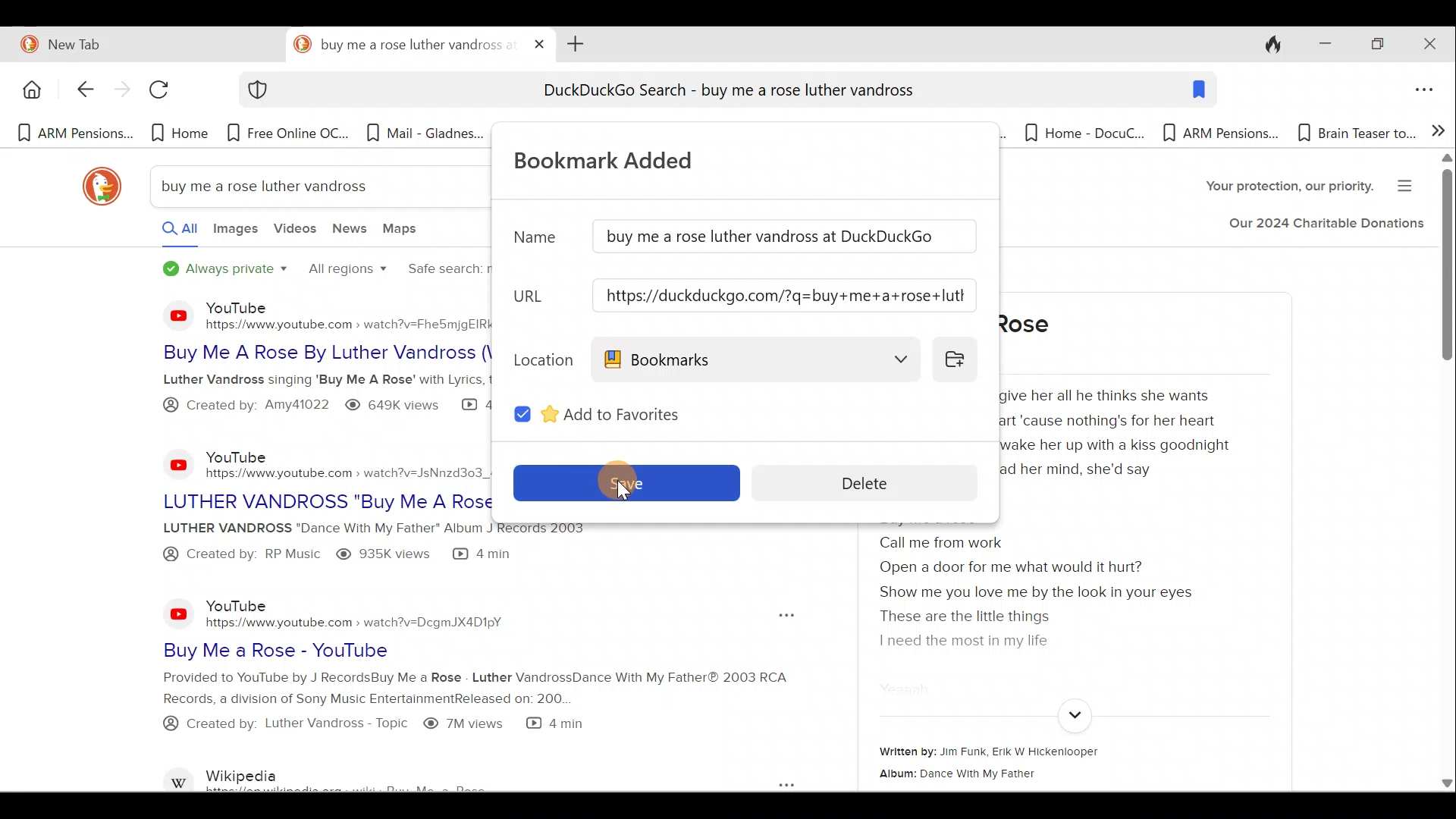 The height and width of the screenshot is (819, 1456). What do you see at coordinates (30, 89) in the screenshot?
I see `Home` at bounding box center [30, 89].